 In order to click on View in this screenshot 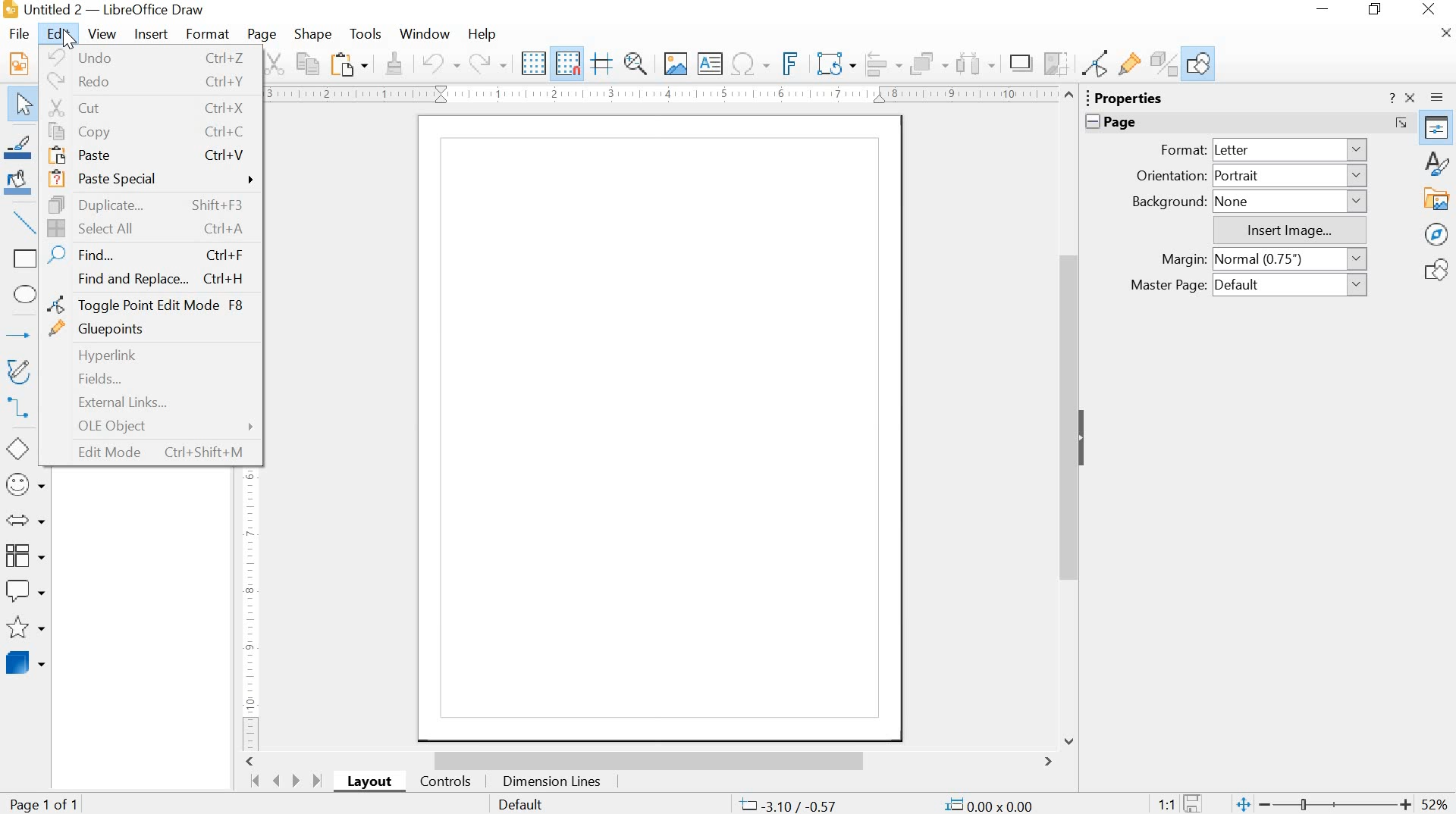, I will do `click(103, 33)`.